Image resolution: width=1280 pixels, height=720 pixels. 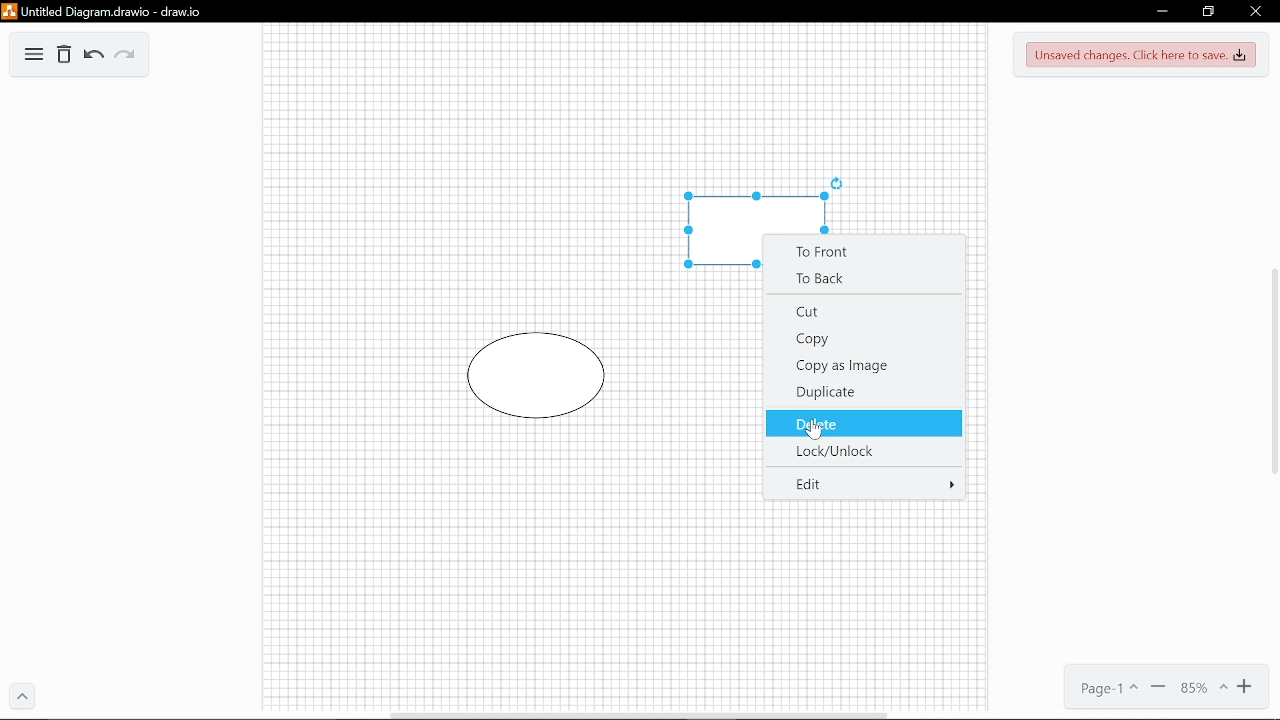 I want to click on Cut , so click(x=862, y=312).